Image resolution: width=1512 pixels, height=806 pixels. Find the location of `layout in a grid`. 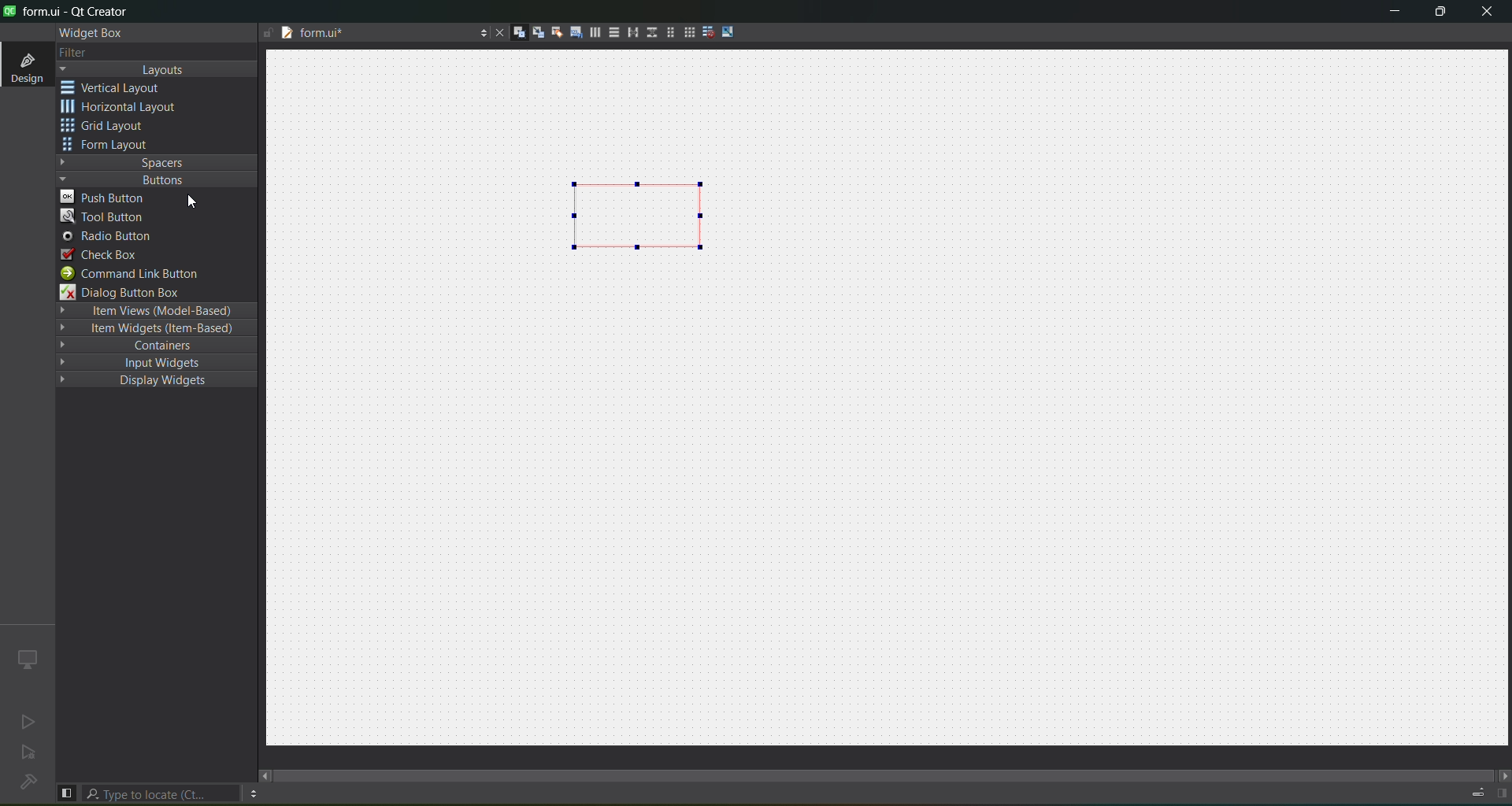

layout in a grid is located at coordinates (688, 34).